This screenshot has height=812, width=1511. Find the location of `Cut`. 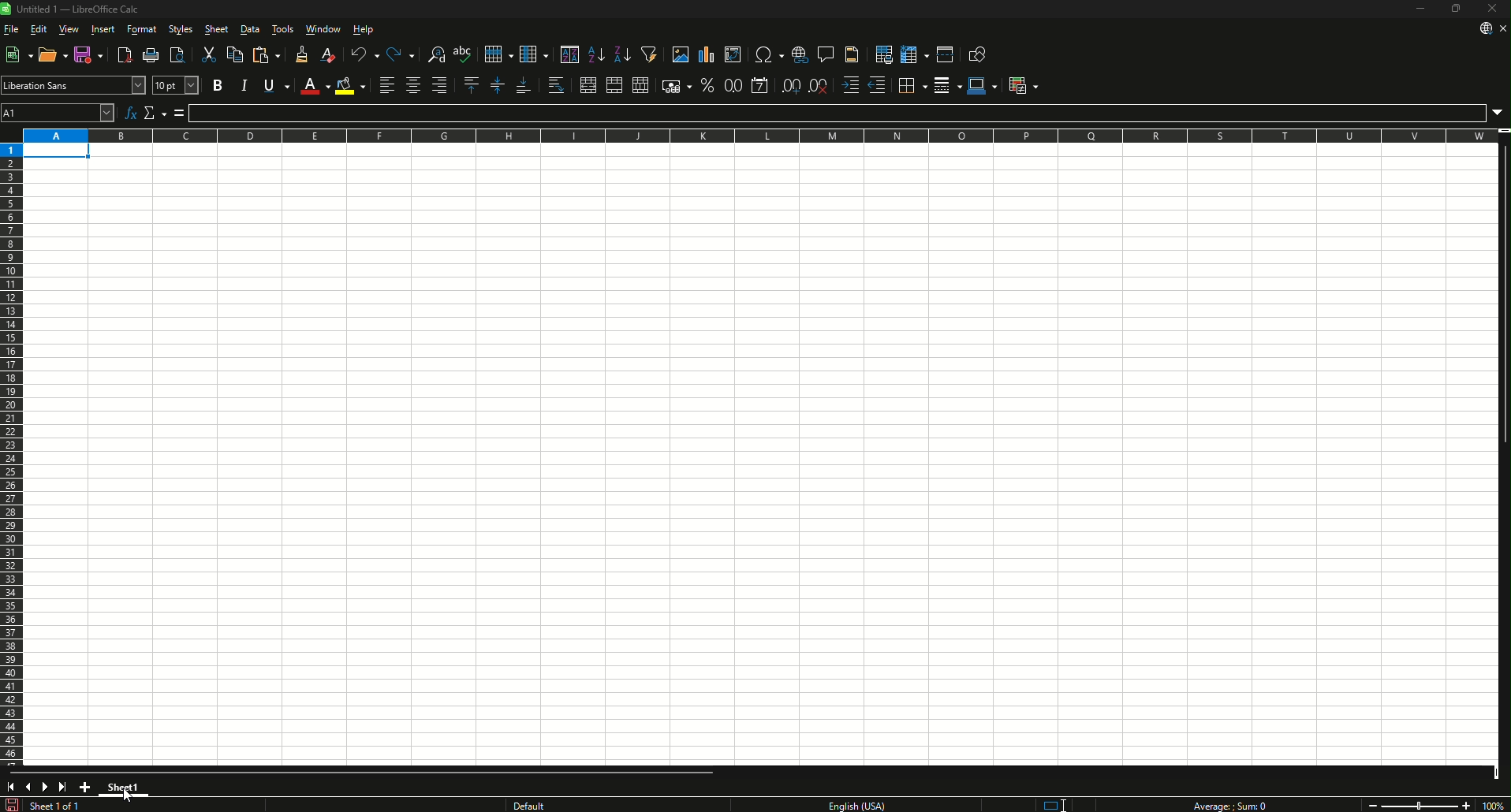

Cut is located at coordinates (209, 54).